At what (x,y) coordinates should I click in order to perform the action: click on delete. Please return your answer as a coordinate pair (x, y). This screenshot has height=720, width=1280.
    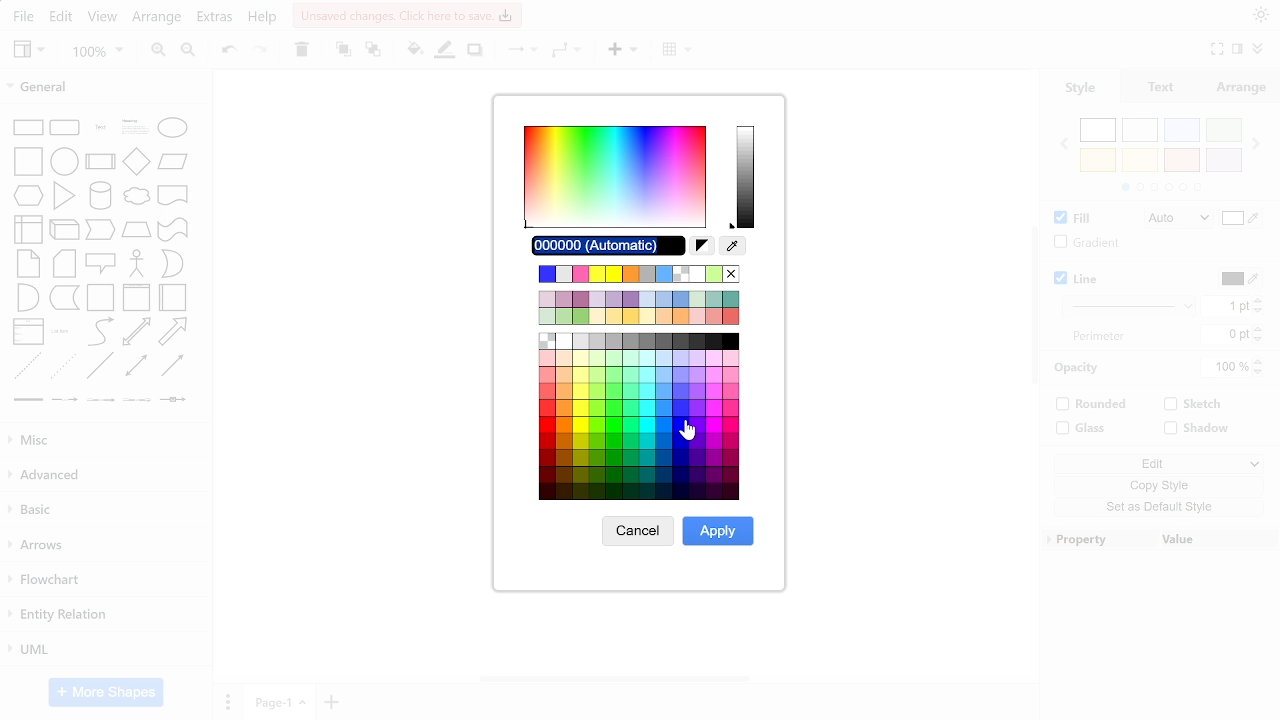
    Looking at the image, I should click on (300, 51).